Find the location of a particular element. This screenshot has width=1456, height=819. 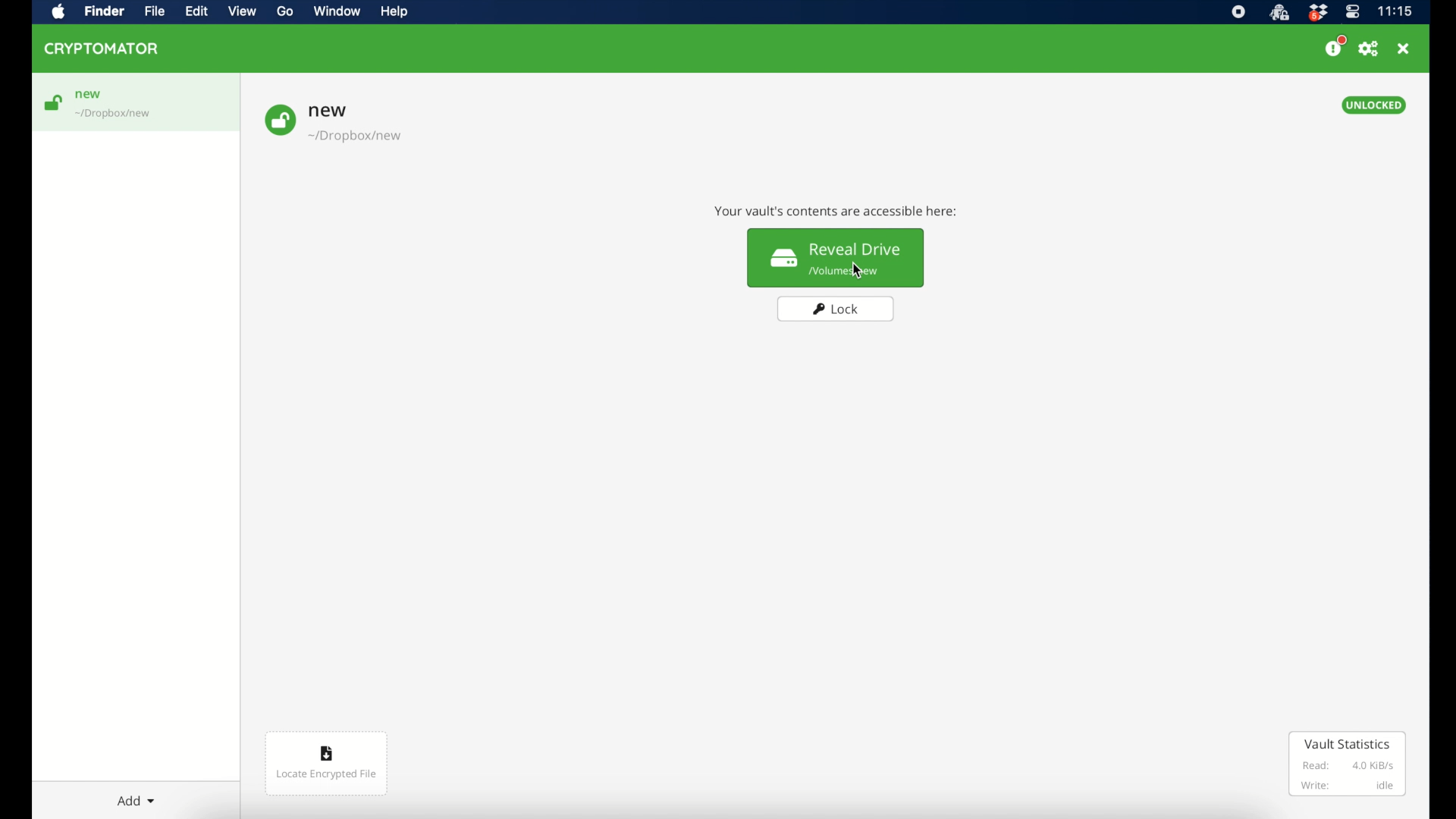

add dropdown  is located at coordinates (136, 801).